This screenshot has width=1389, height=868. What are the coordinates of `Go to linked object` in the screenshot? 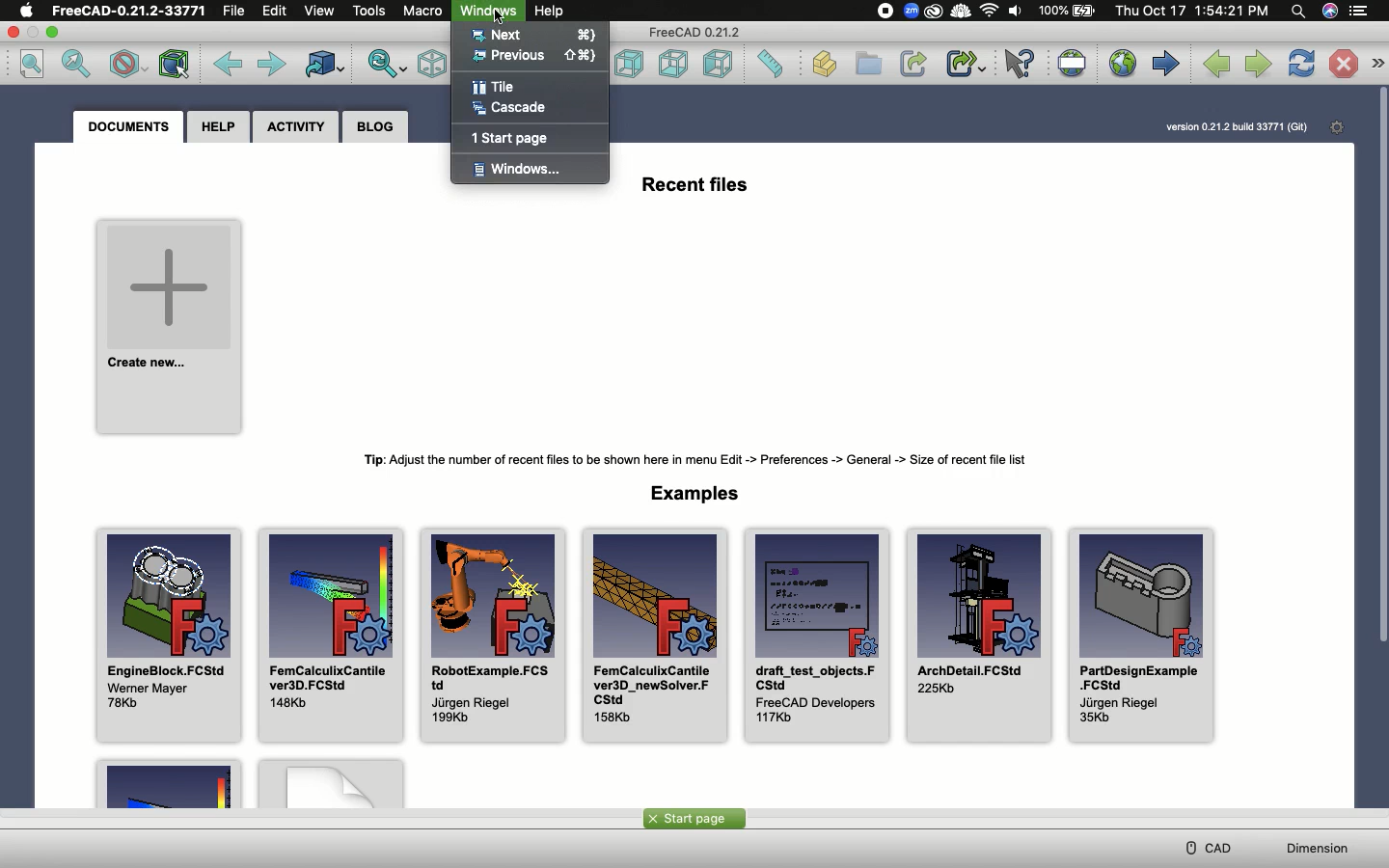 It's located at (321, 64).